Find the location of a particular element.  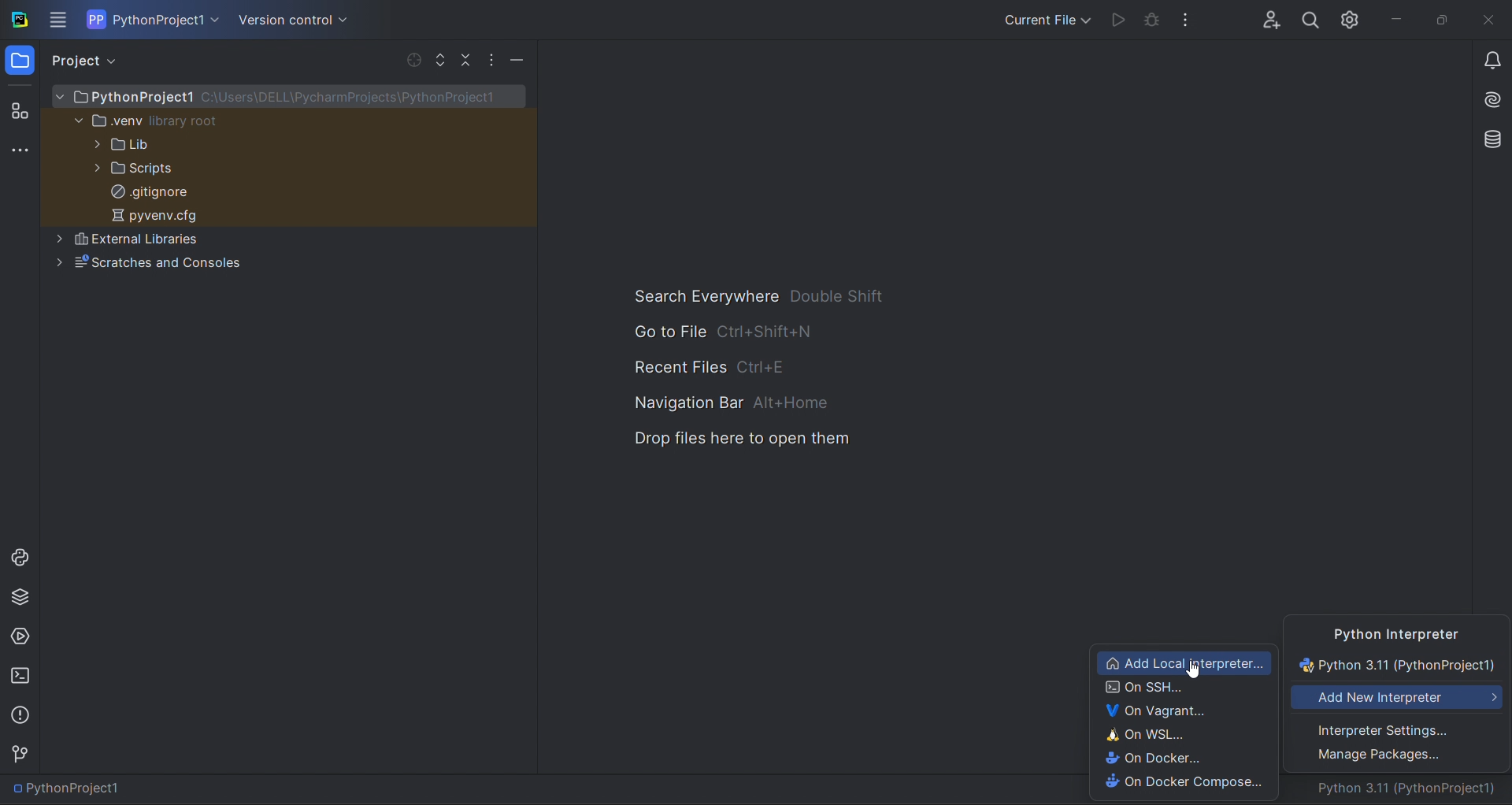

interpreter is located at coordinates (1411, 792).